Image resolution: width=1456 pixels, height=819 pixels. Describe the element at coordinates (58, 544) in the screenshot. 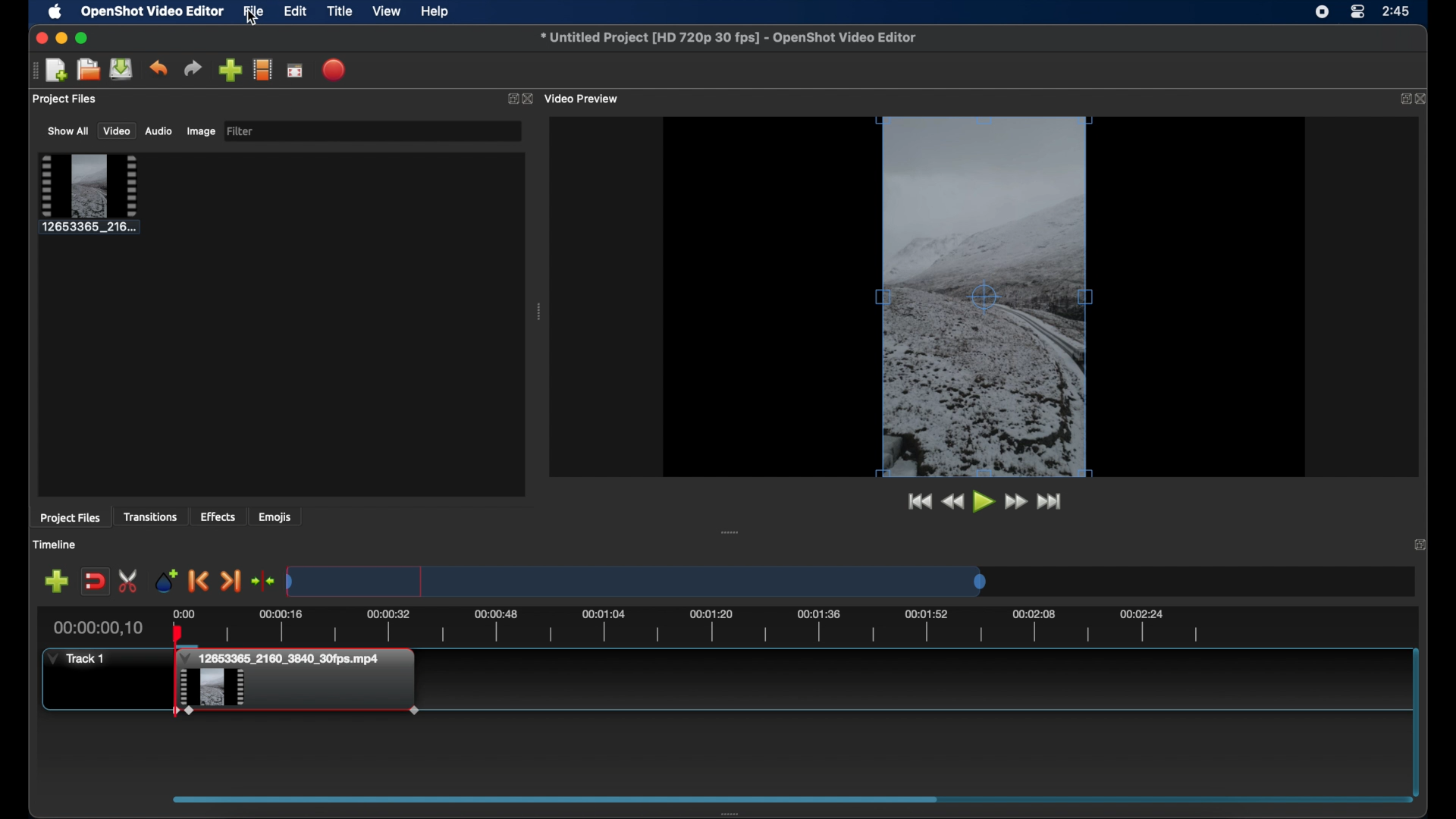

I see `timeline` at that location.